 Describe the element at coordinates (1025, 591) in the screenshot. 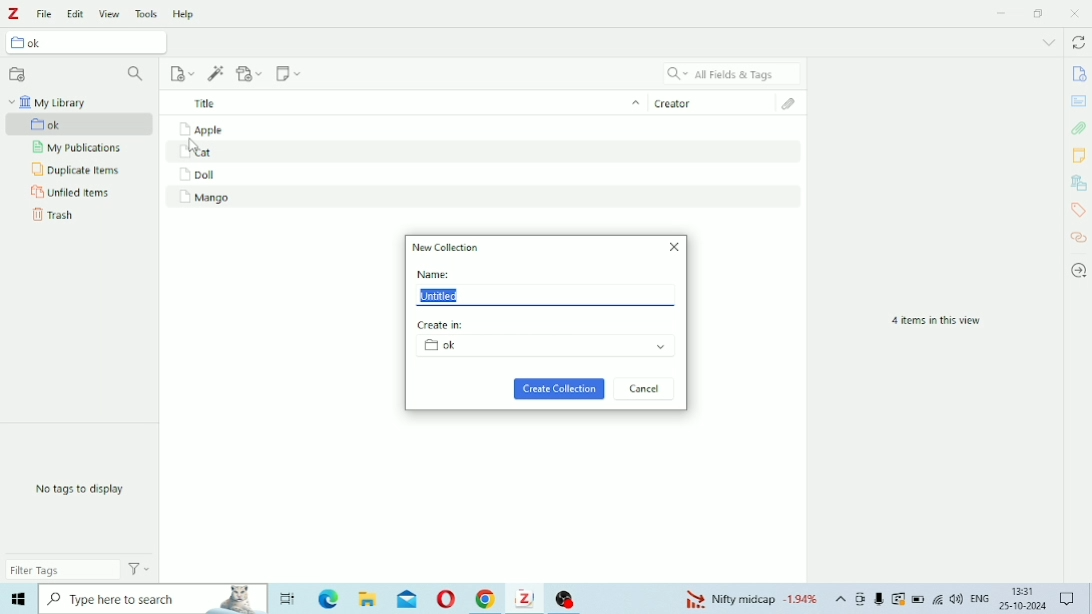

I see `13:31` at that location.